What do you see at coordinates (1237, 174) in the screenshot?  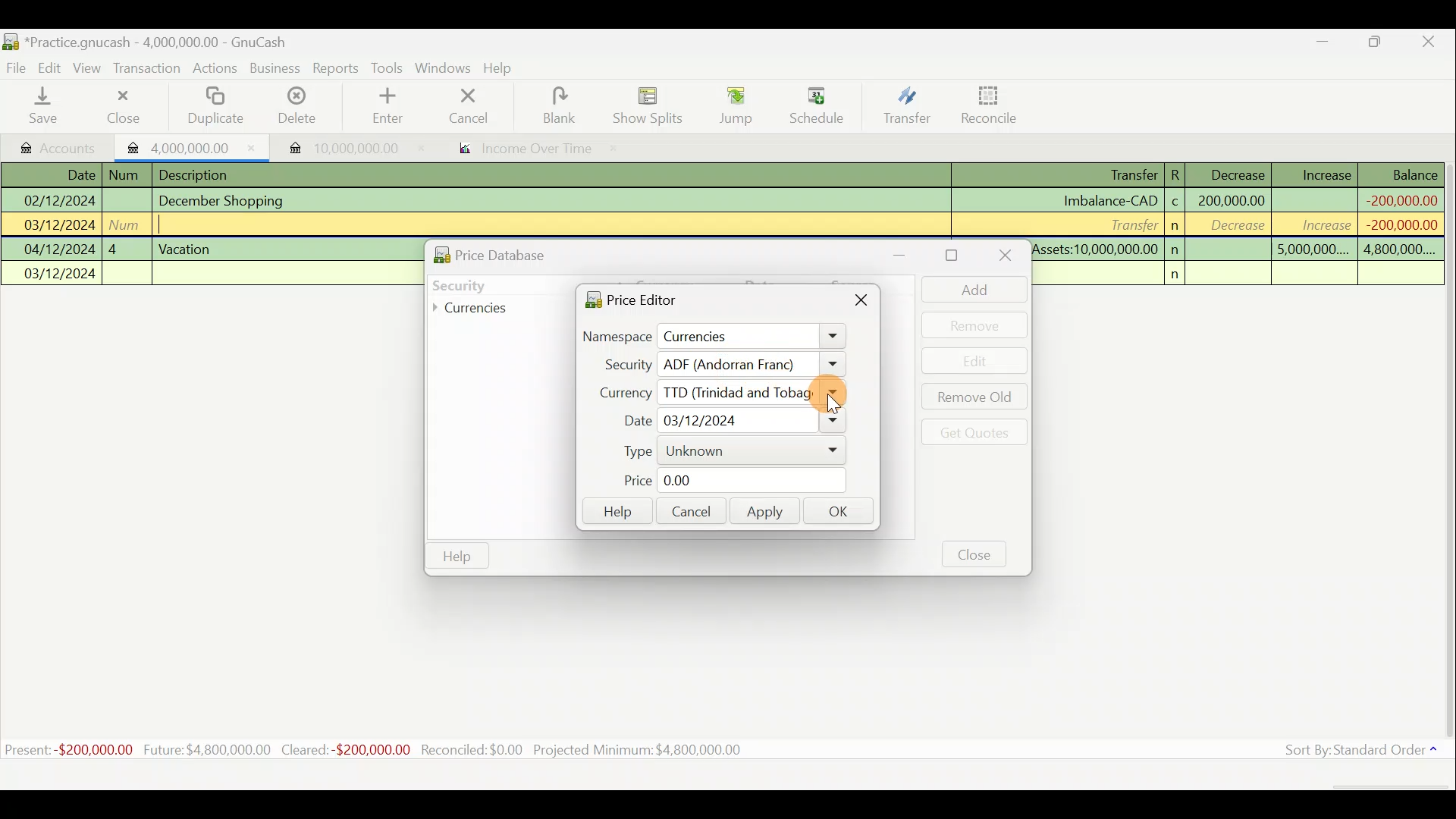 I see `Decrease` at bounding box center [1237, 174].